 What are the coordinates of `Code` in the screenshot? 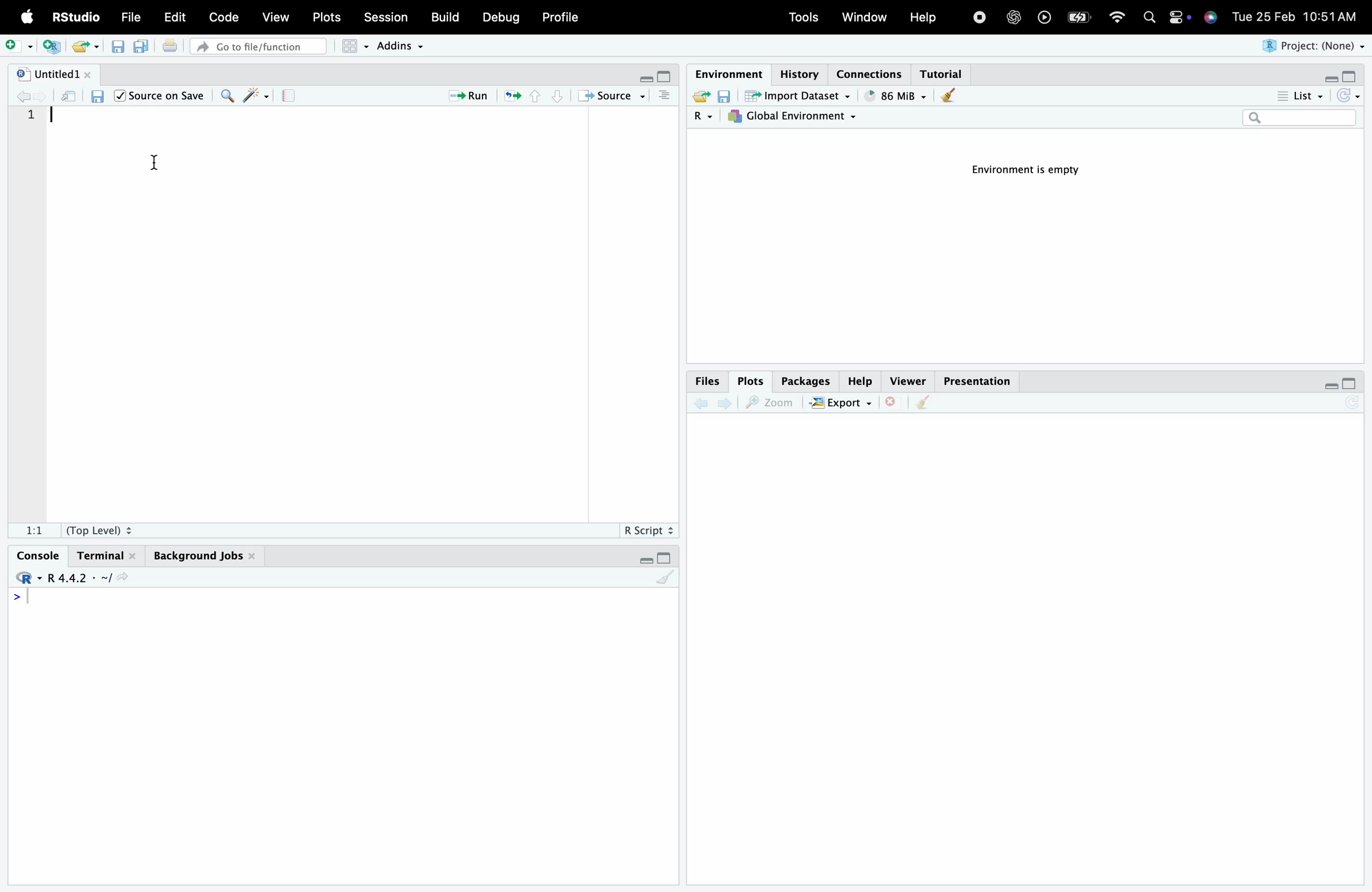 It's located at (227, 17).